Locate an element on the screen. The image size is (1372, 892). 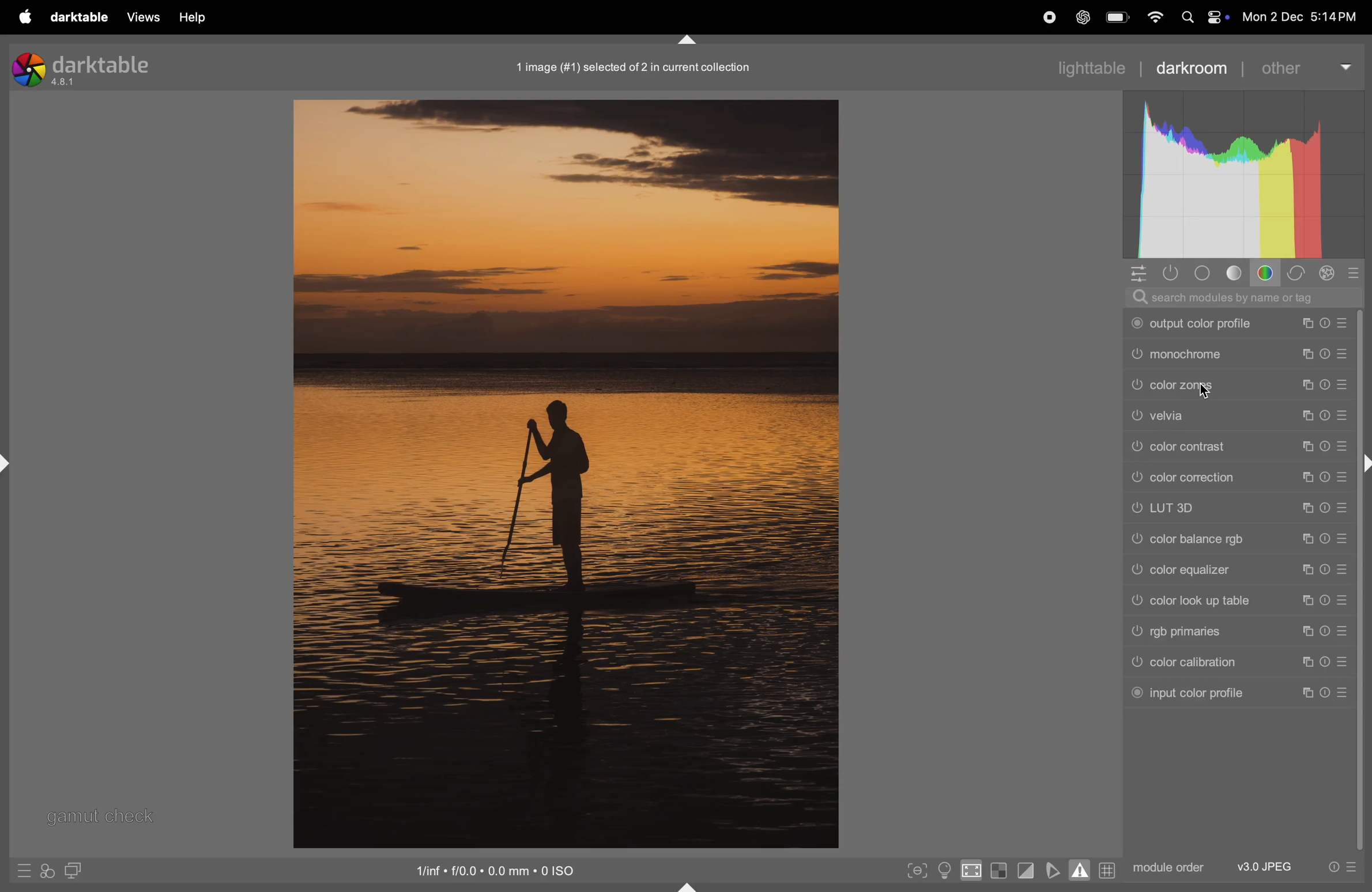
apple menu is located at coordinates (25, 17).